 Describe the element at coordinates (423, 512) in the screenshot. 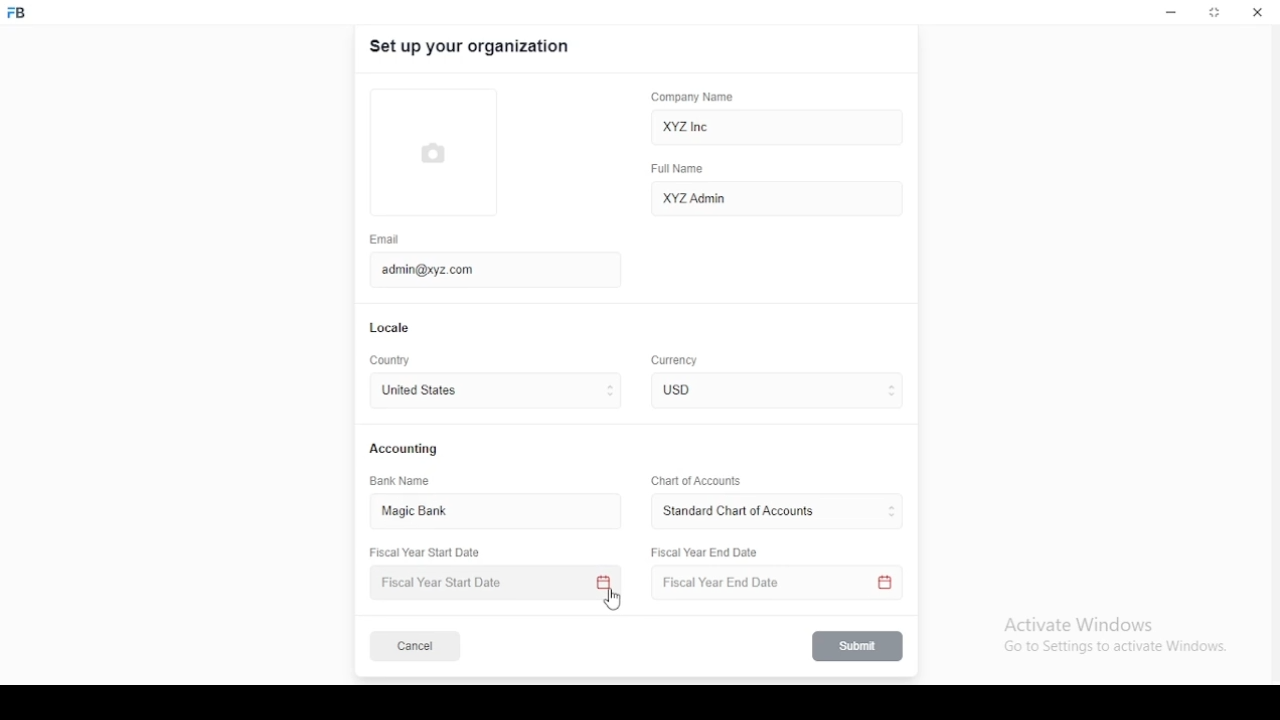

I see `magic bank` at that location.